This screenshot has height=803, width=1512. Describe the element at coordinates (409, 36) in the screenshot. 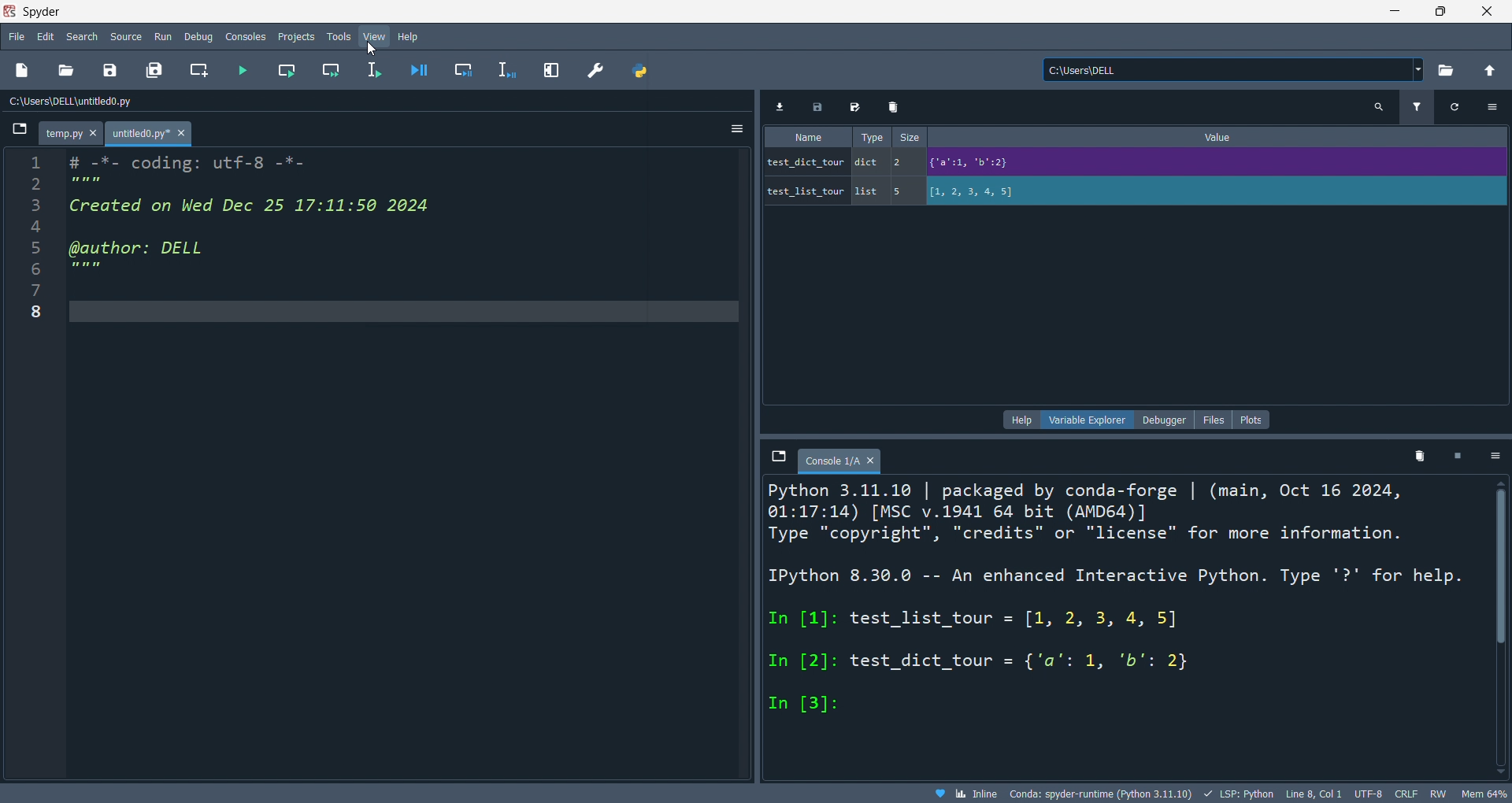

I see `help` at that location.